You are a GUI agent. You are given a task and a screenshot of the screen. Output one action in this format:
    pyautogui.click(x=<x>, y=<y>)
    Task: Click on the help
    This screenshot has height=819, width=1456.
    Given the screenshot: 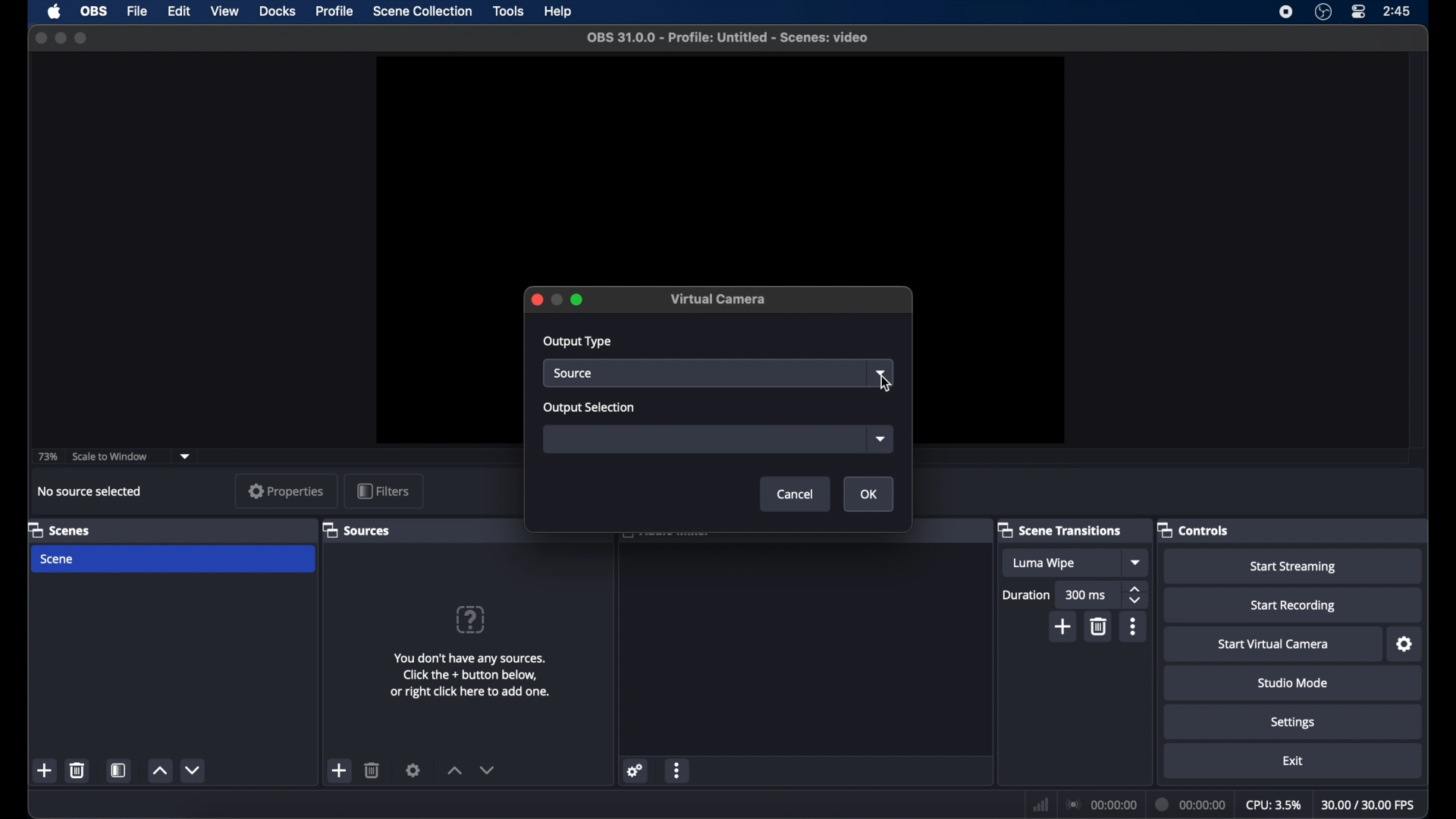 What is the action you would take?
    pyautogui.click(x=559, y=11)
    